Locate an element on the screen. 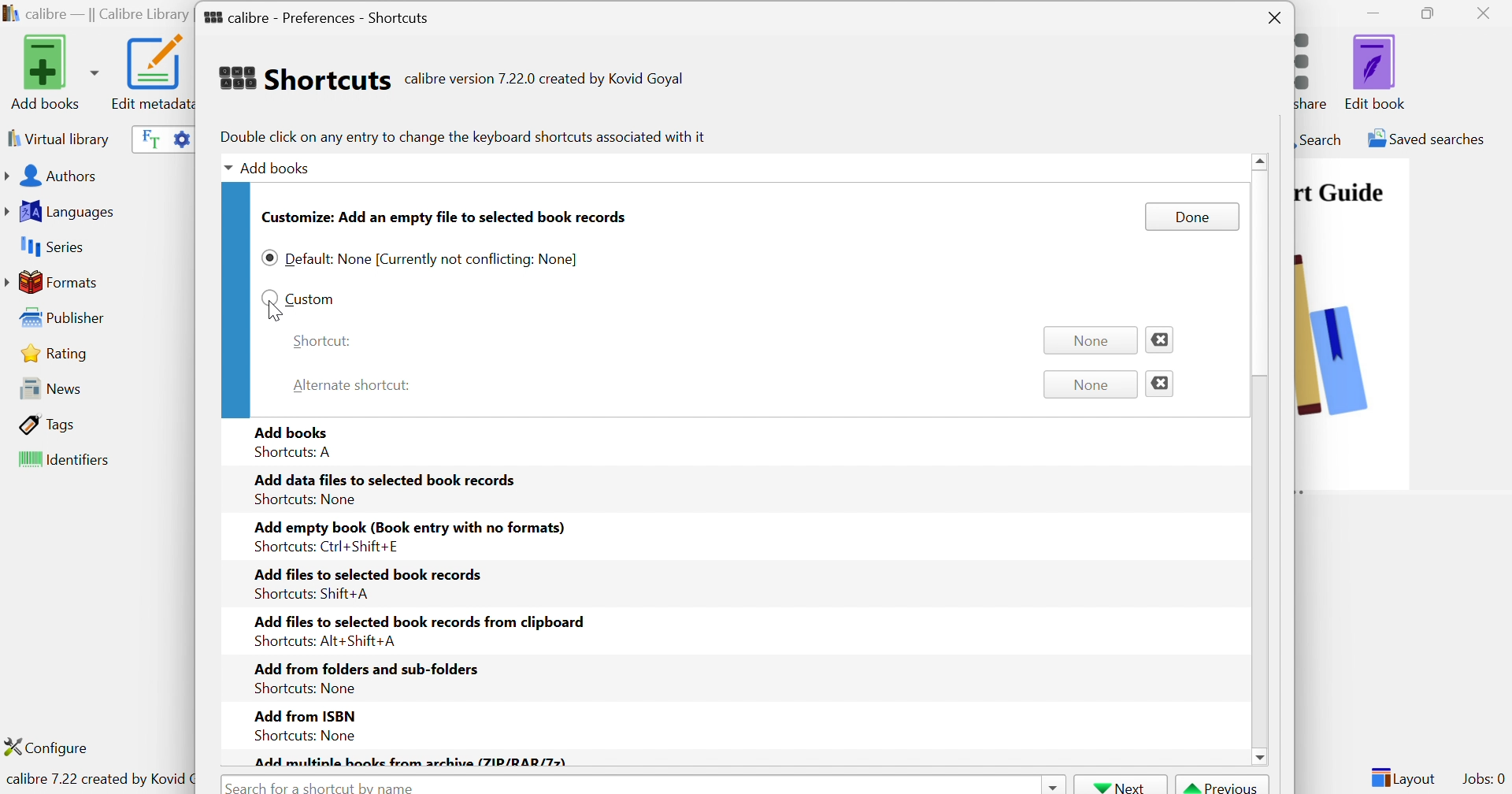 This screenshot has height=794, width=1512. Add from folders and sub-folders is located at coordinates (365, 668).